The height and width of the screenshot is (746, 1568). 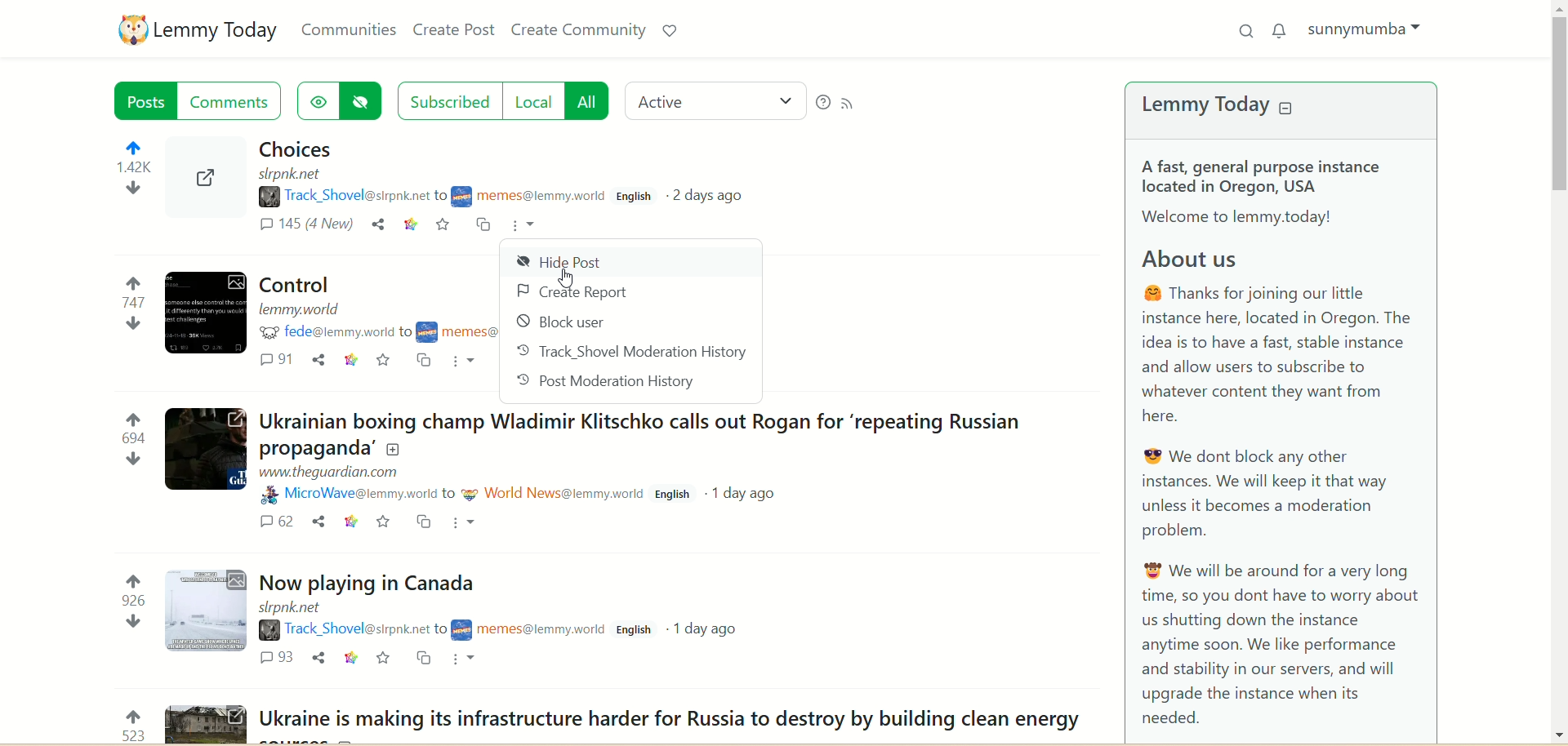 I want to click on 1 day ago(post date), so click(x=750, y=495).